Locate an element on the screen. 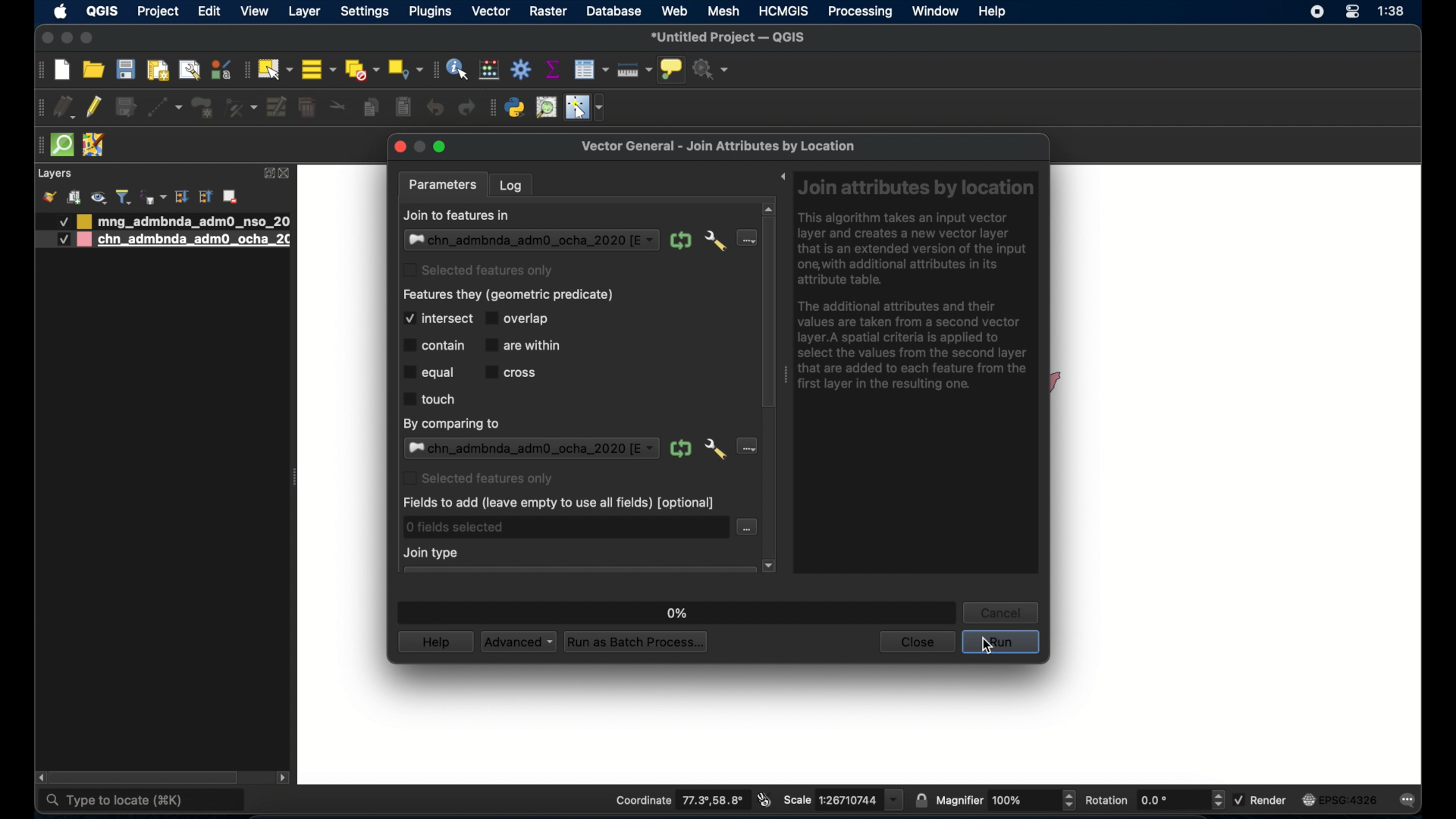 The width and height of the screenshot is (1456, 819). help is located at coordinates (993, 11).